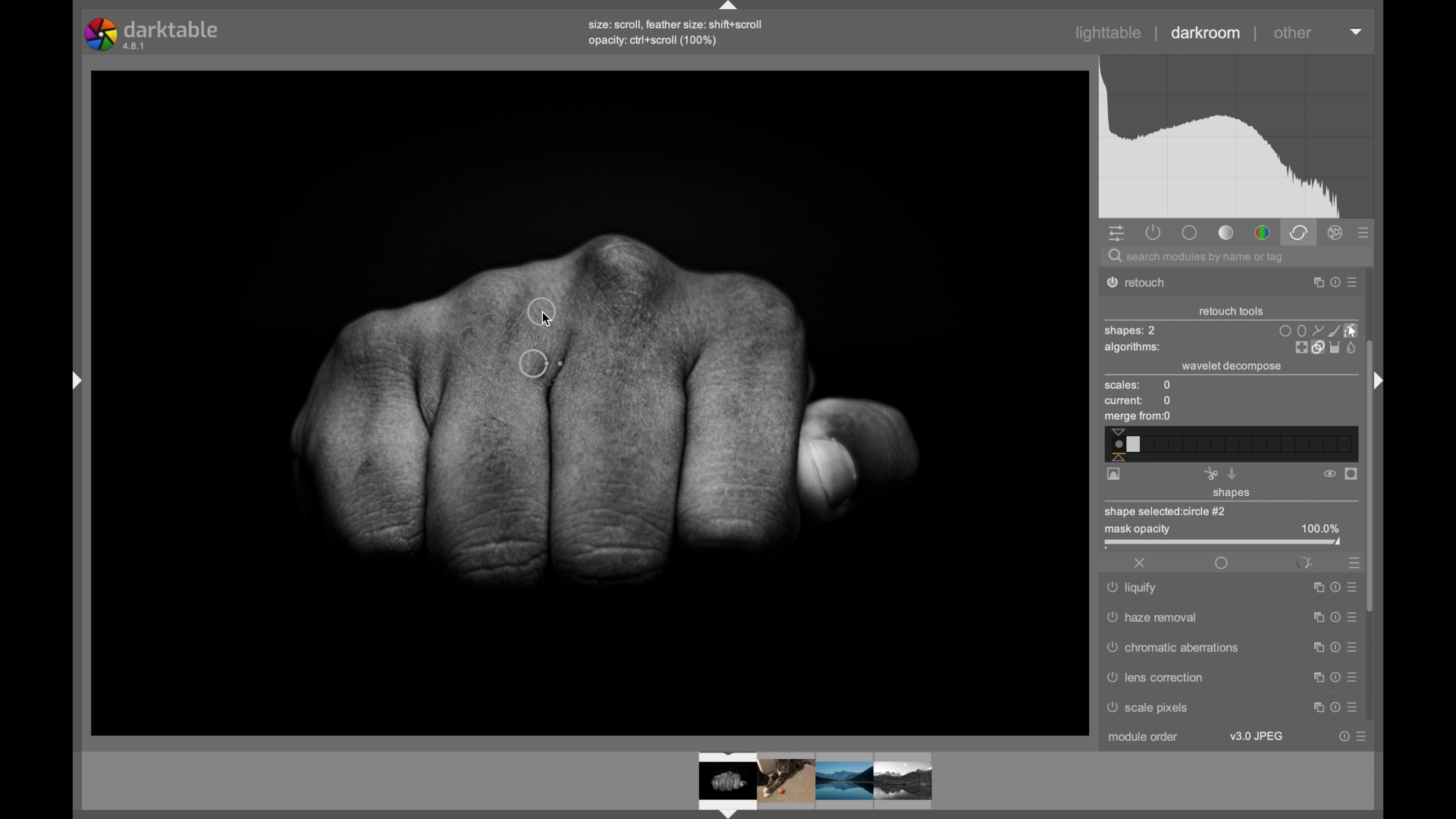 This screenshot has width=1456, height=819. What do you see at coordinates (1344, 736) in the screenshot?
I see `help` at bounding box center [1344, 736].